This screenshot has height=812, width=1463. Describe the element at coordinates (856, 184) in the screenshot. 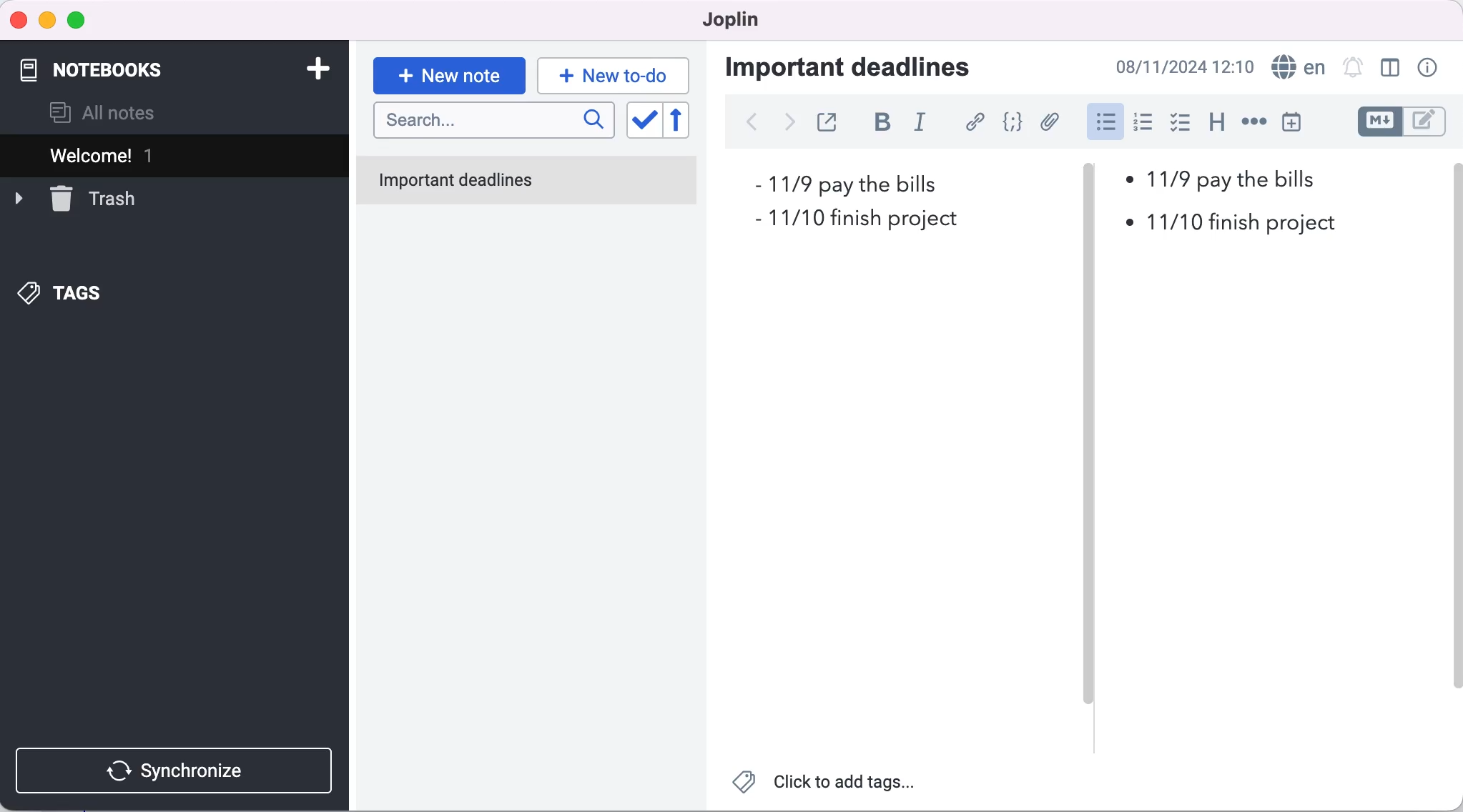

I see `deadline 1` at that location.